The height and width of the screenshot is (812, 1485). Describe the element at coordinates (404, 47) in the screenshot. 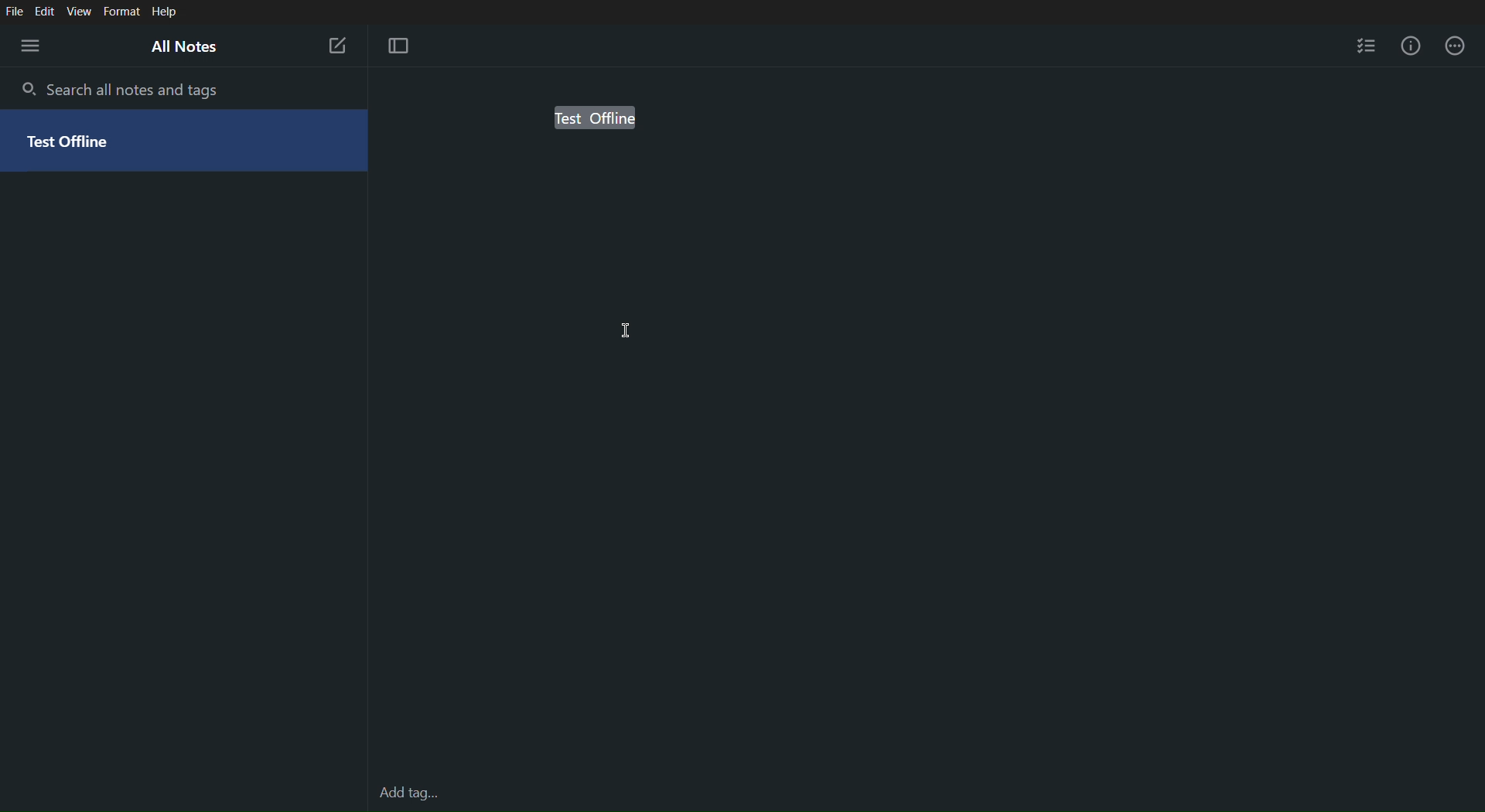

I see `Focus Mode` at that location.